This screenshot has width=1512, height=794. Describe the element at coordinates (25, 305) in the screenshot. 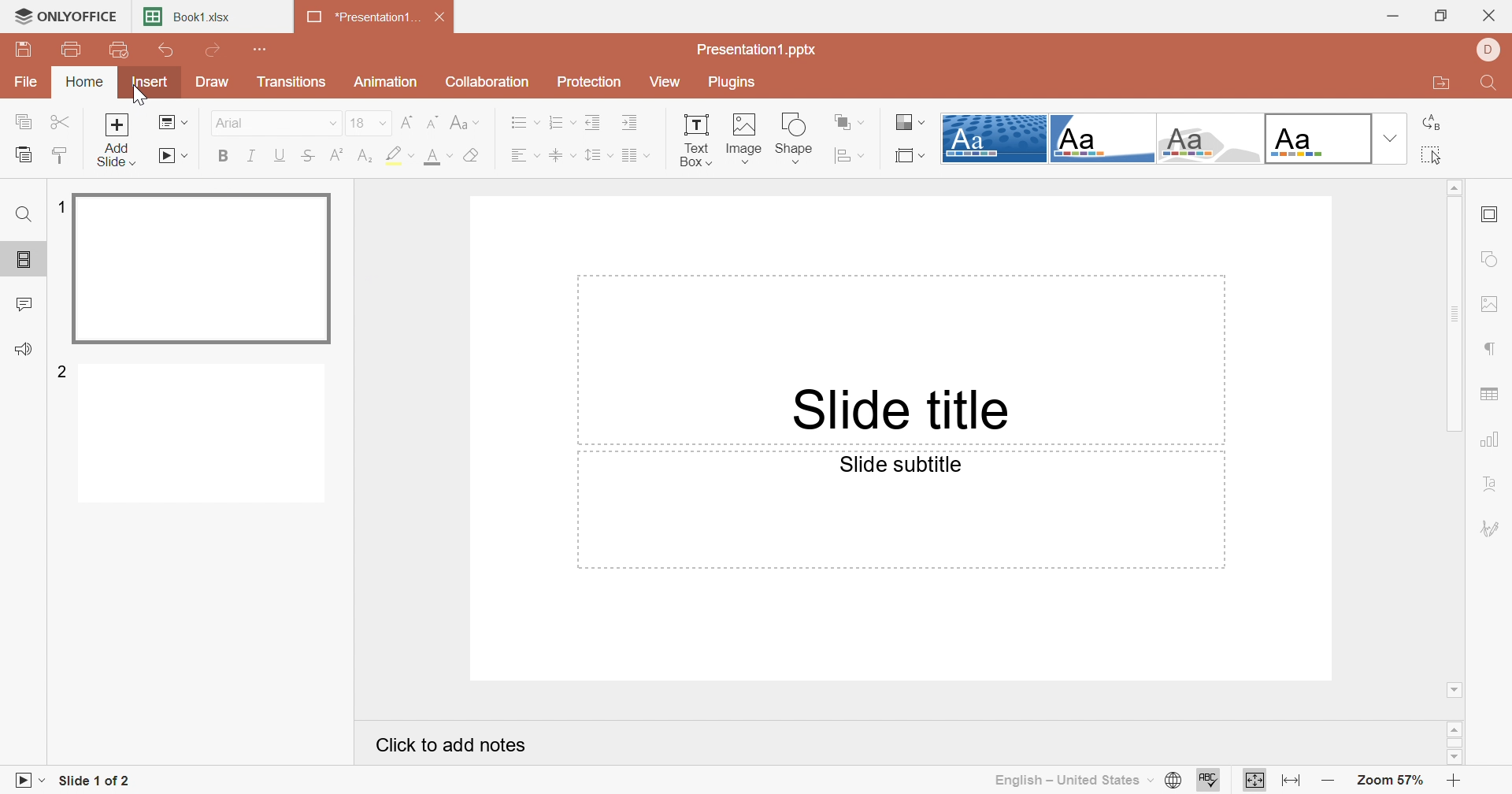

I see `Comments` at that location.